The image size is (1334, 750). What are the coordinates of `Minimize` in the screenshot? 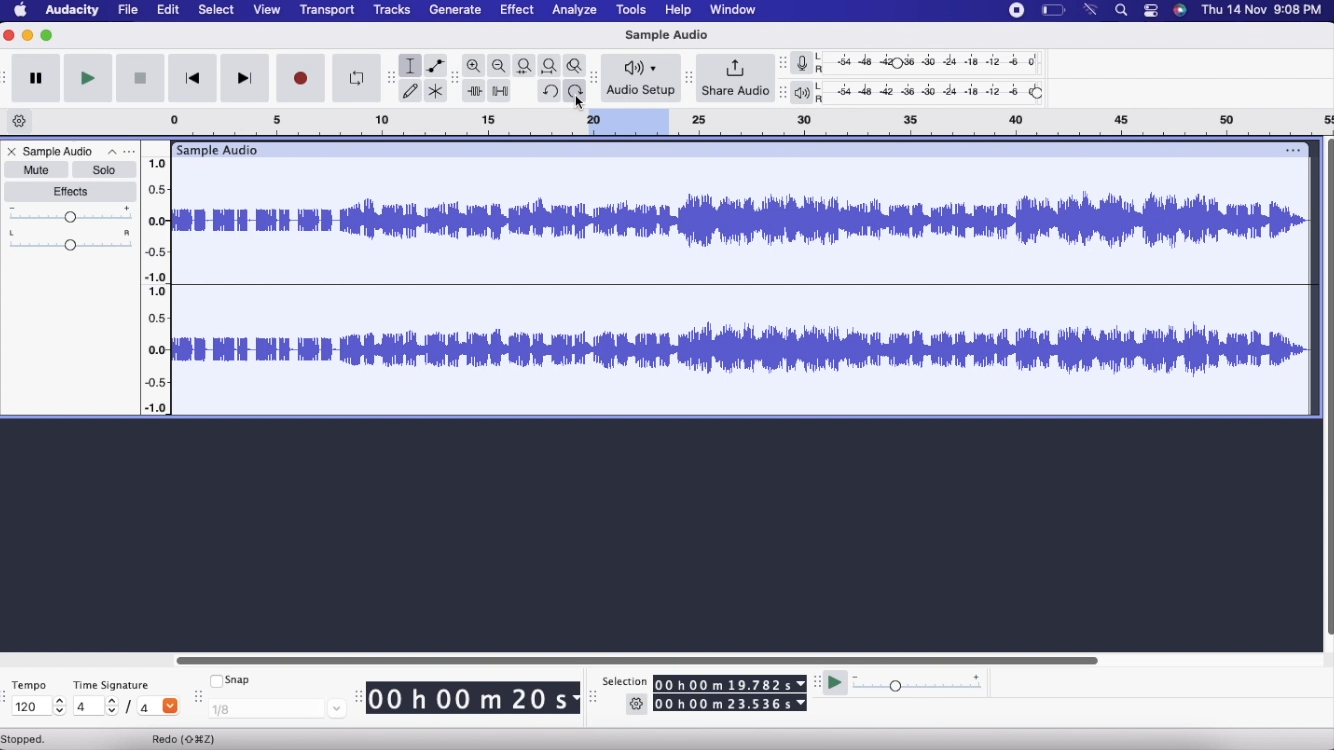 It's located at (27, 35).